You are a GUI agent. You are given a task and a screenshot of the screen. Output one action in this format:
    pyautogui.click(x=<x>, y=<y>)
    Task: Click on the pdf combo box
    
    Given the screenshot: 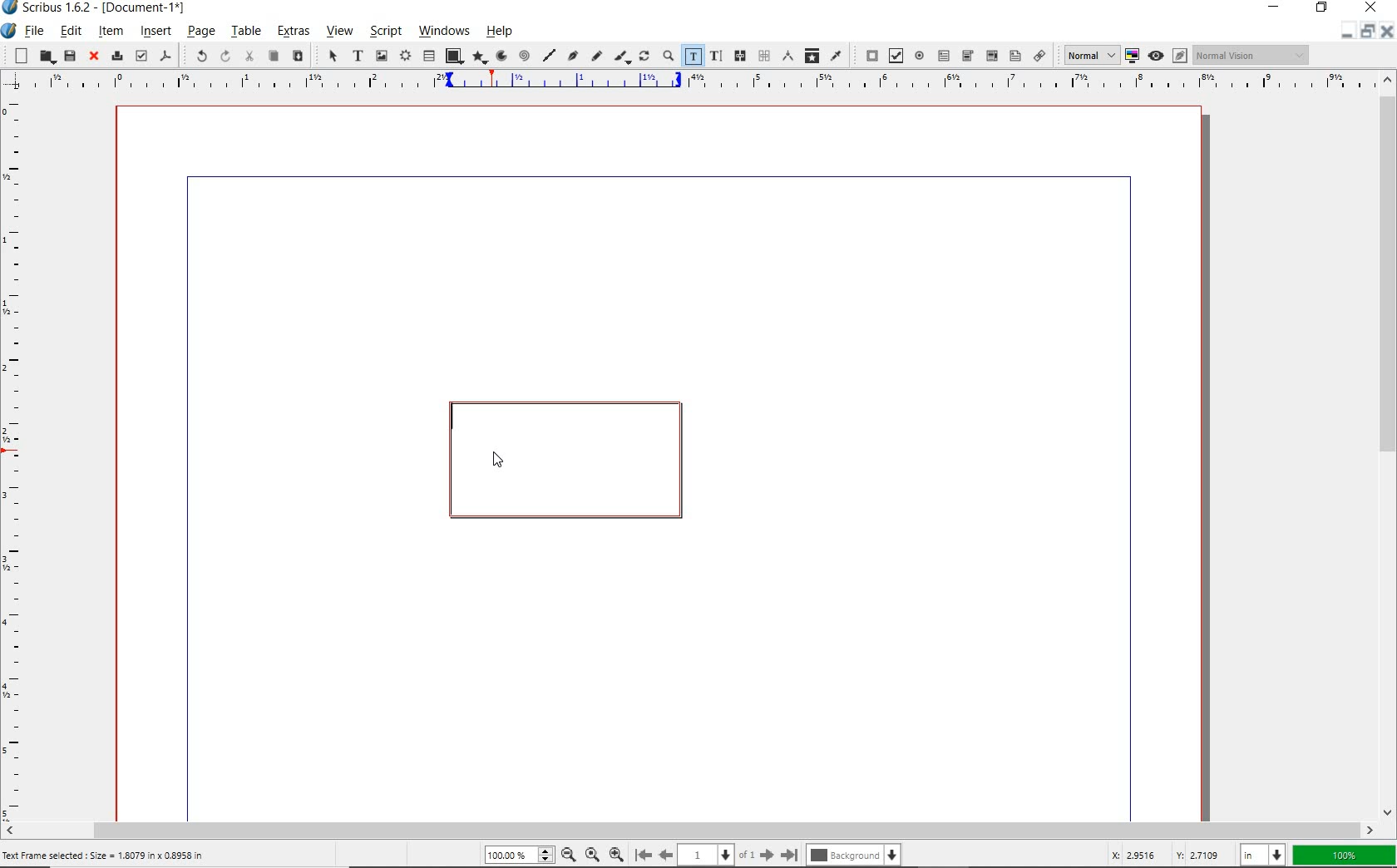 What is the action you would take?
    pyautogui.click(x=990, y=56)
    